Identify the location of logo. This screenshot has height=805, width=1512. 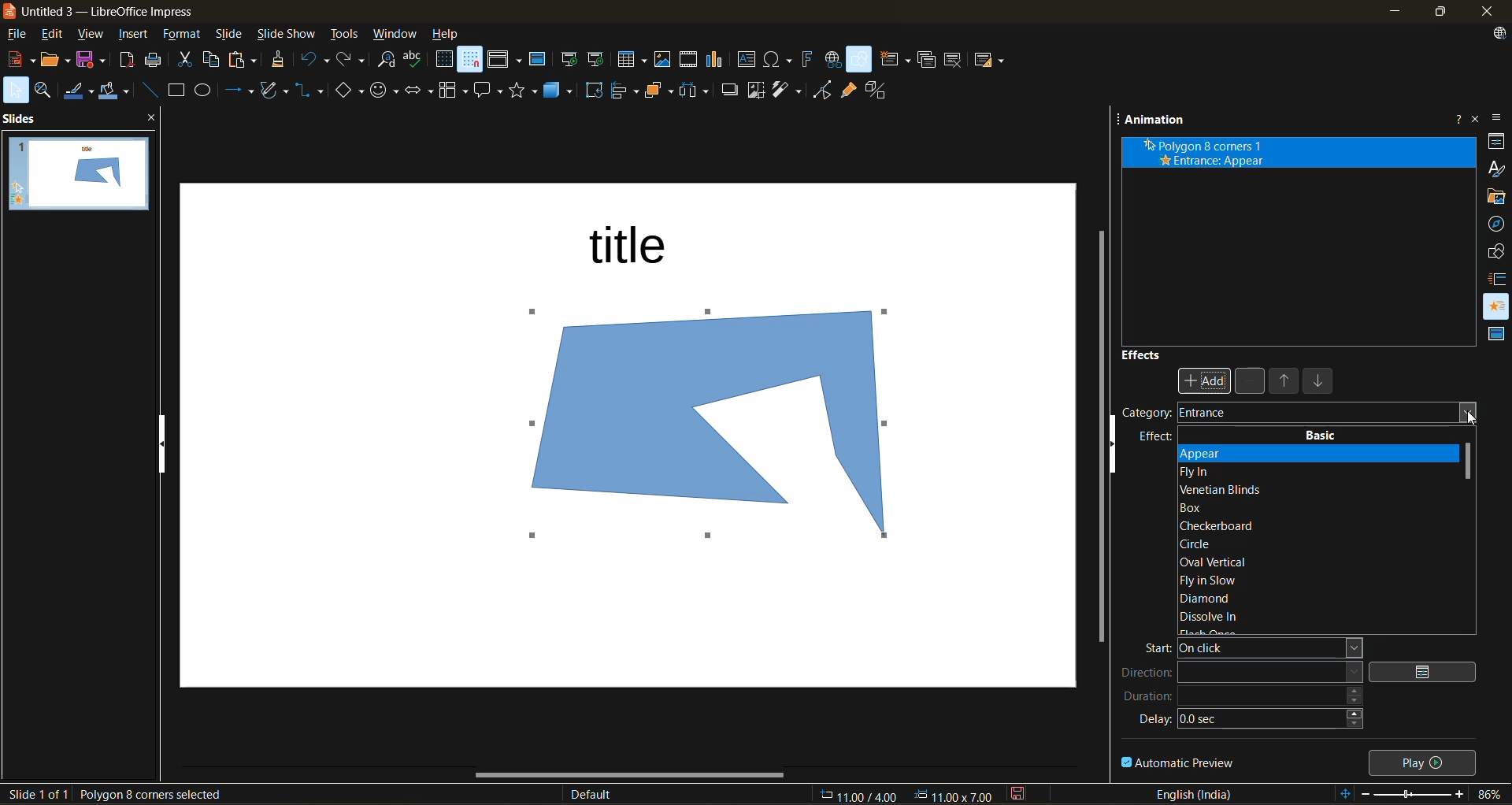
(9, 12).